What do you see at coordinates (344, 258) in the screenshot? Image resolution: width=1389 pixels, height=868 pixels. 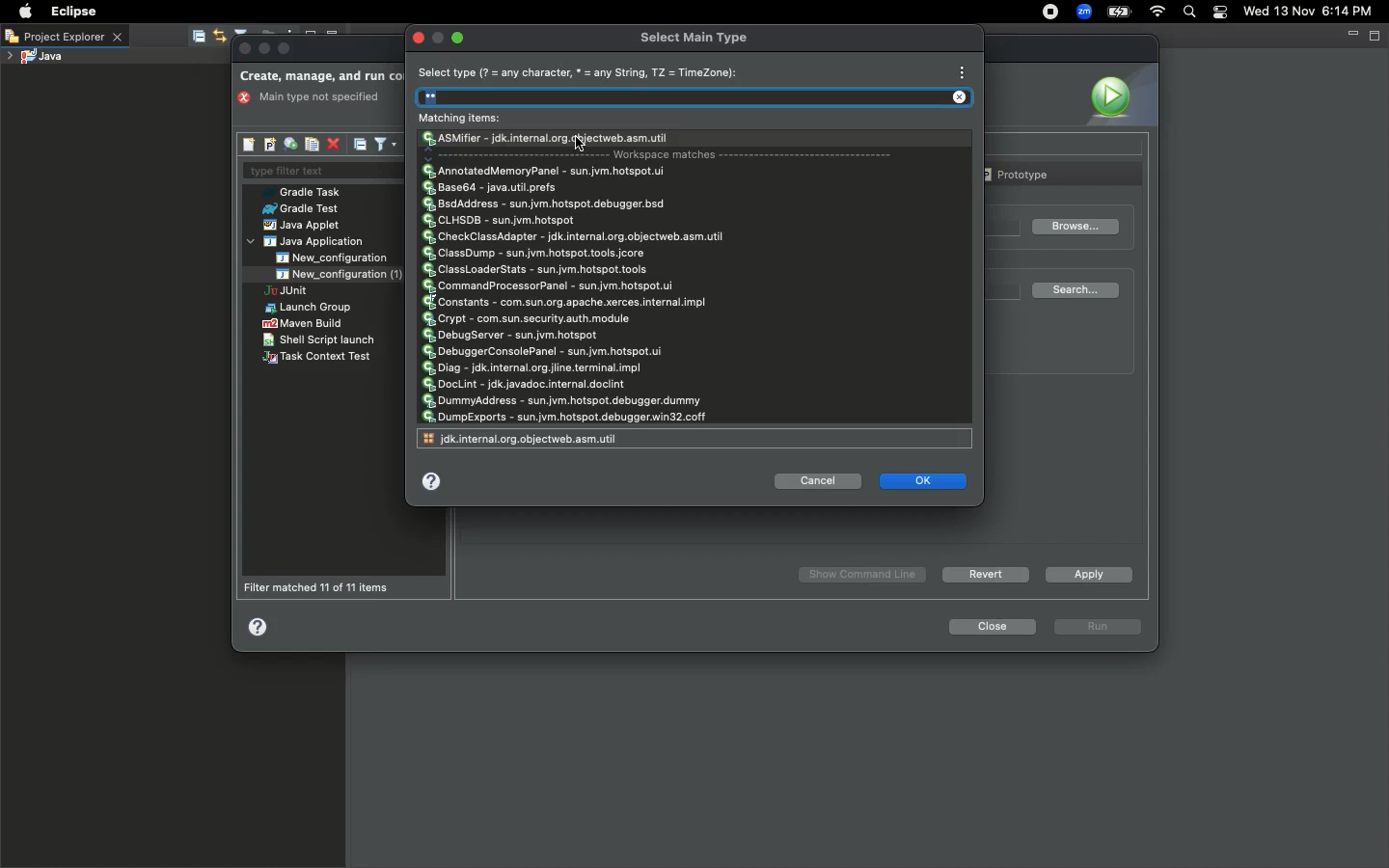 I see `New_configuration` at bounding box center [344, 258].